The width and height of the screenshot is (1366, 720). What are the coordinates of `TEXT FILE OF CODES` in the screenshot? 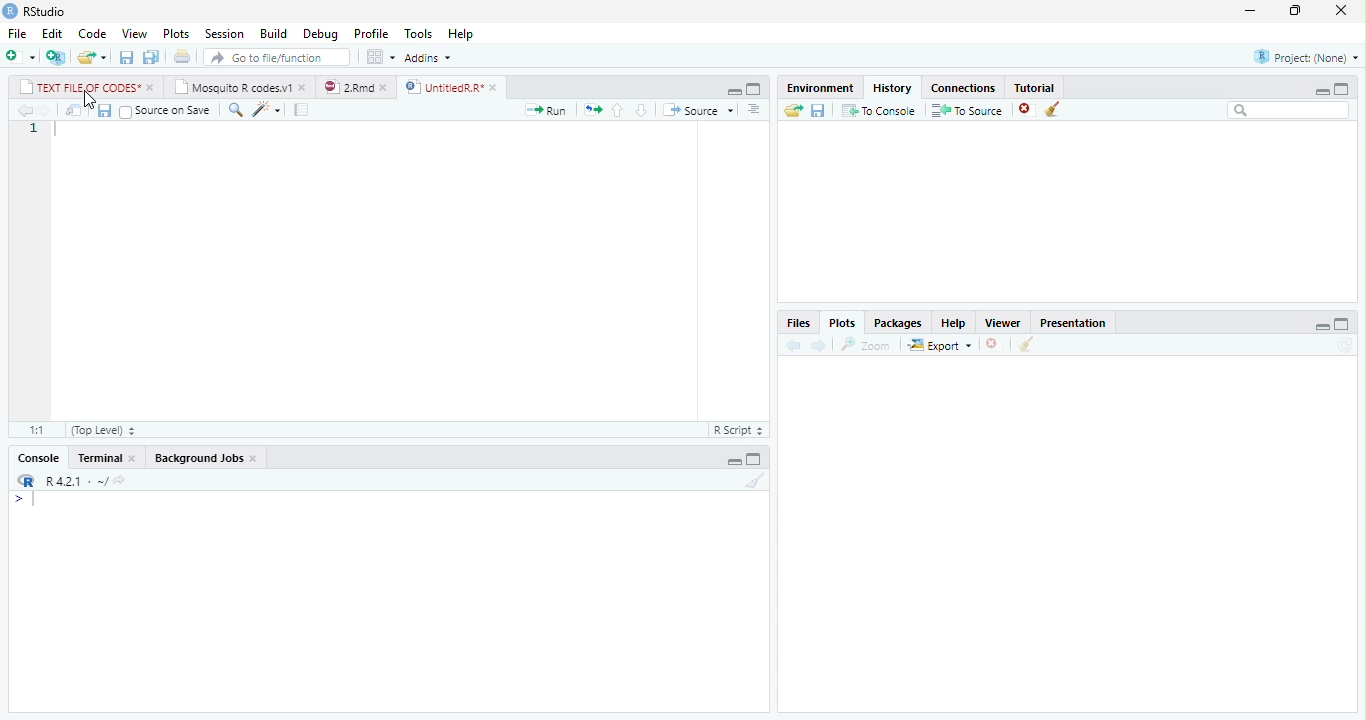 It's located at (76, 87).